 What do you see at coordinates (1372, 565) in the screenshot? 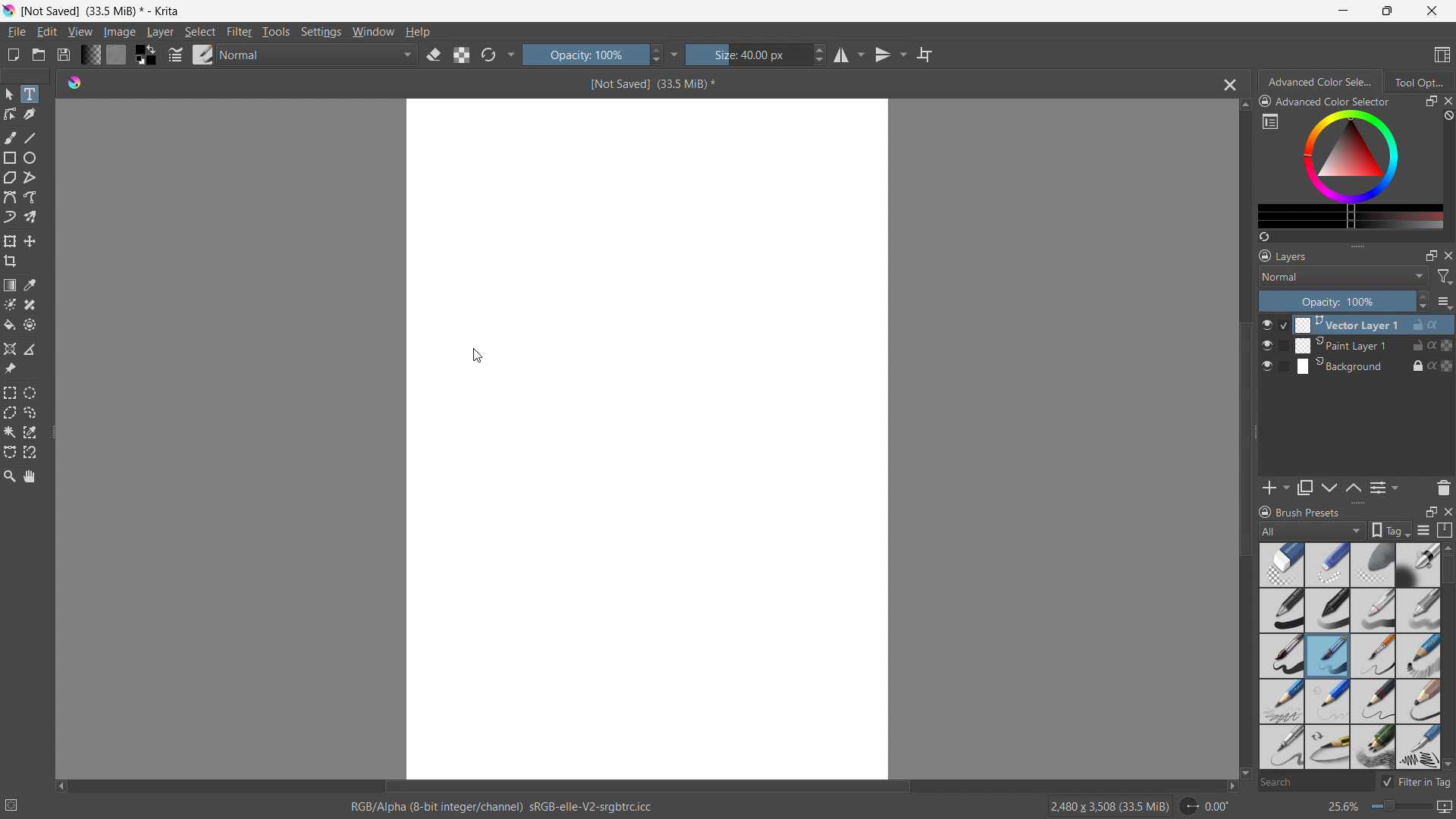
I see `blur` at bounding box center [1372, 565].